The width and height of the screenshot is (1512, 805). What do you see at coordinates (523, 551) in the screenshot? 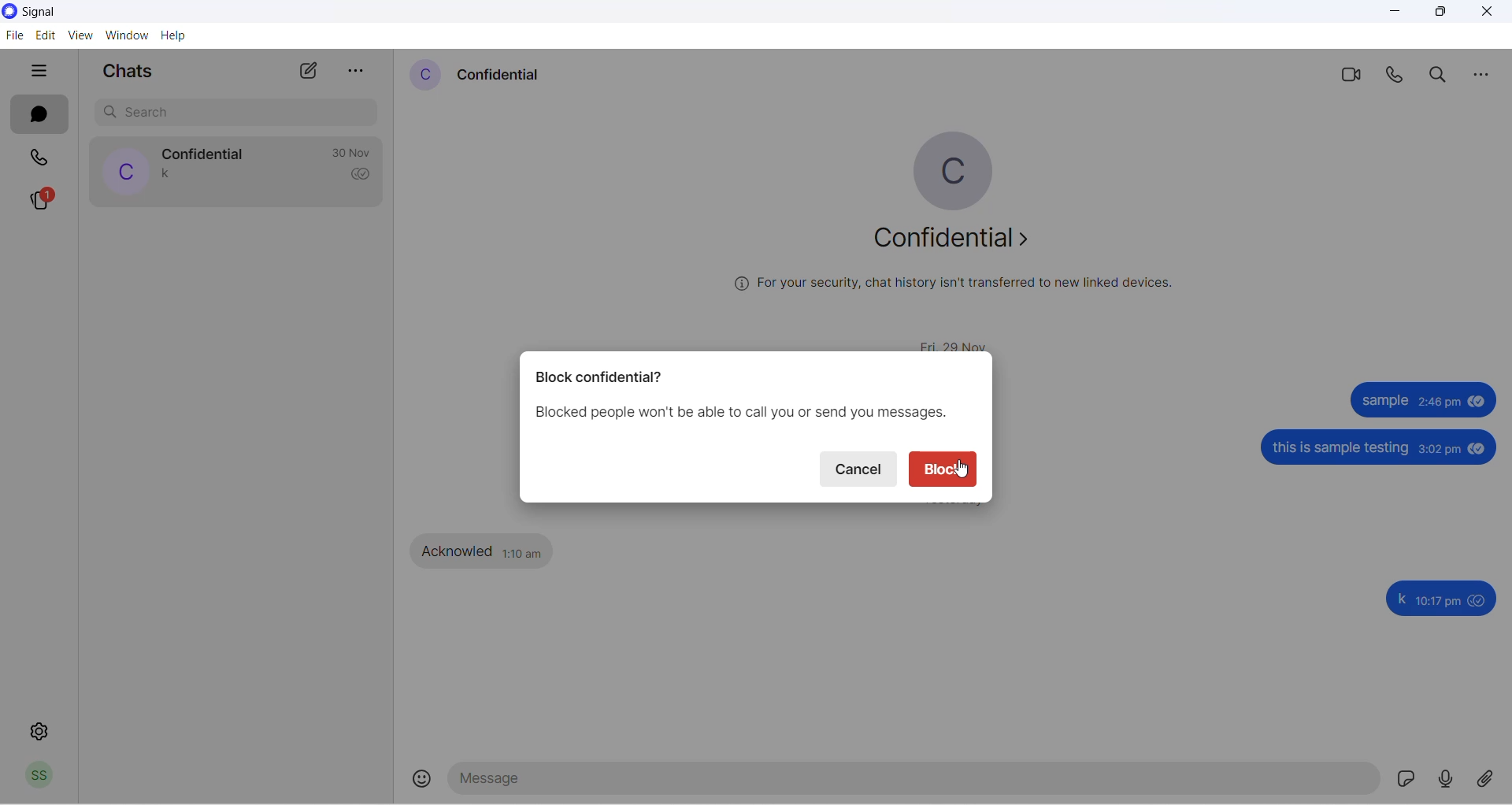
I see `1:10 am` at bounding box center [523, 551].